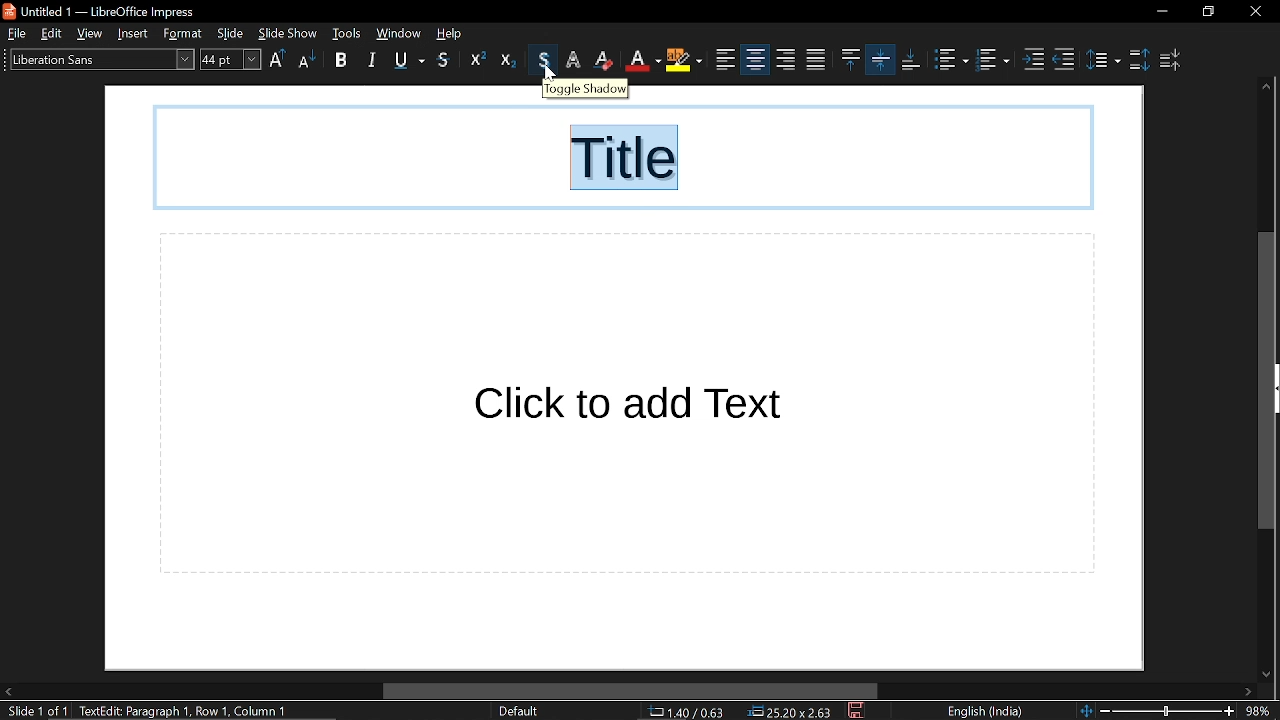 Image resolution: width=1280 pixels, height=720 pixels. What do you see at coordinates (191, 711) in the screenshot?
I see `text: edit paragraph 1, row 1, column 6` at bounding box center [191, 711].